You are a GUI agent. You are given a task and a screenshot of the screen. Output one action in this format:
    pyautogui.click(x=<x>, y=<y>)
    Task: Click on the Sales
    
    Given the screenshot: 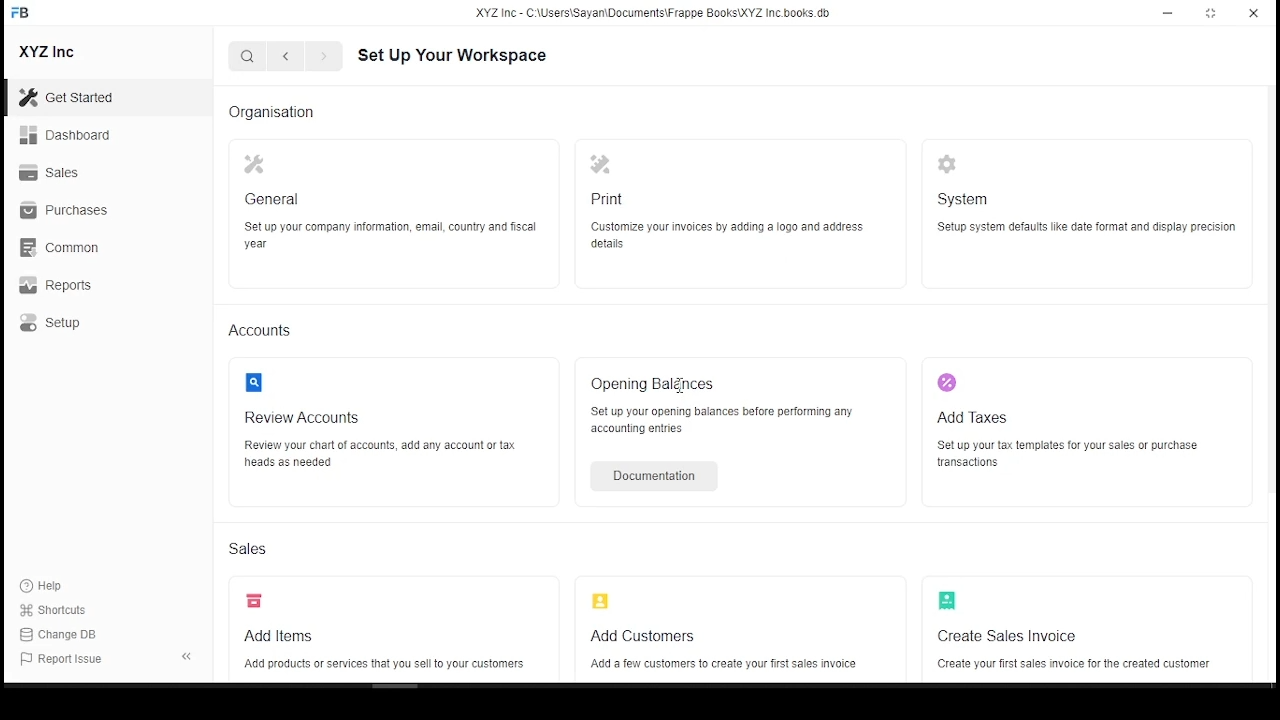 What is the action you would take?
    pyautogui.click(x=52, y=171)
    